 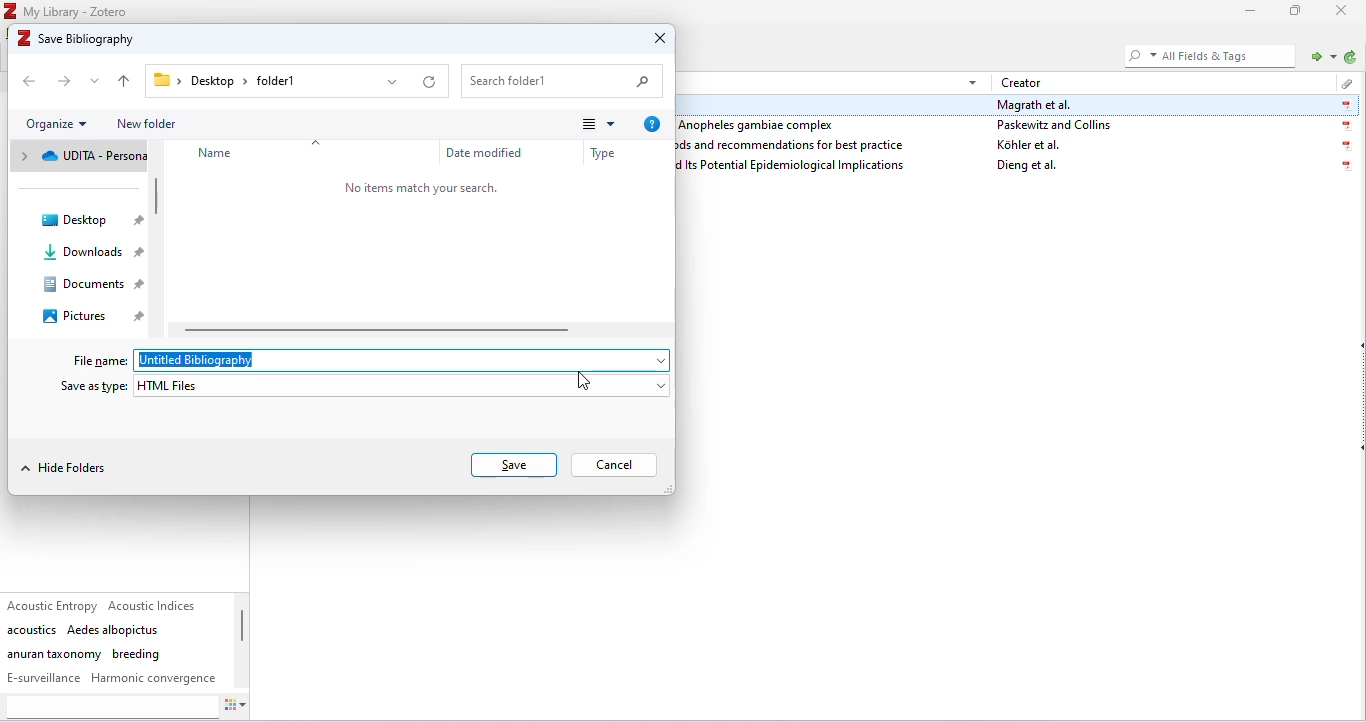 I want to click on drop down, so click(x=657, y=384).